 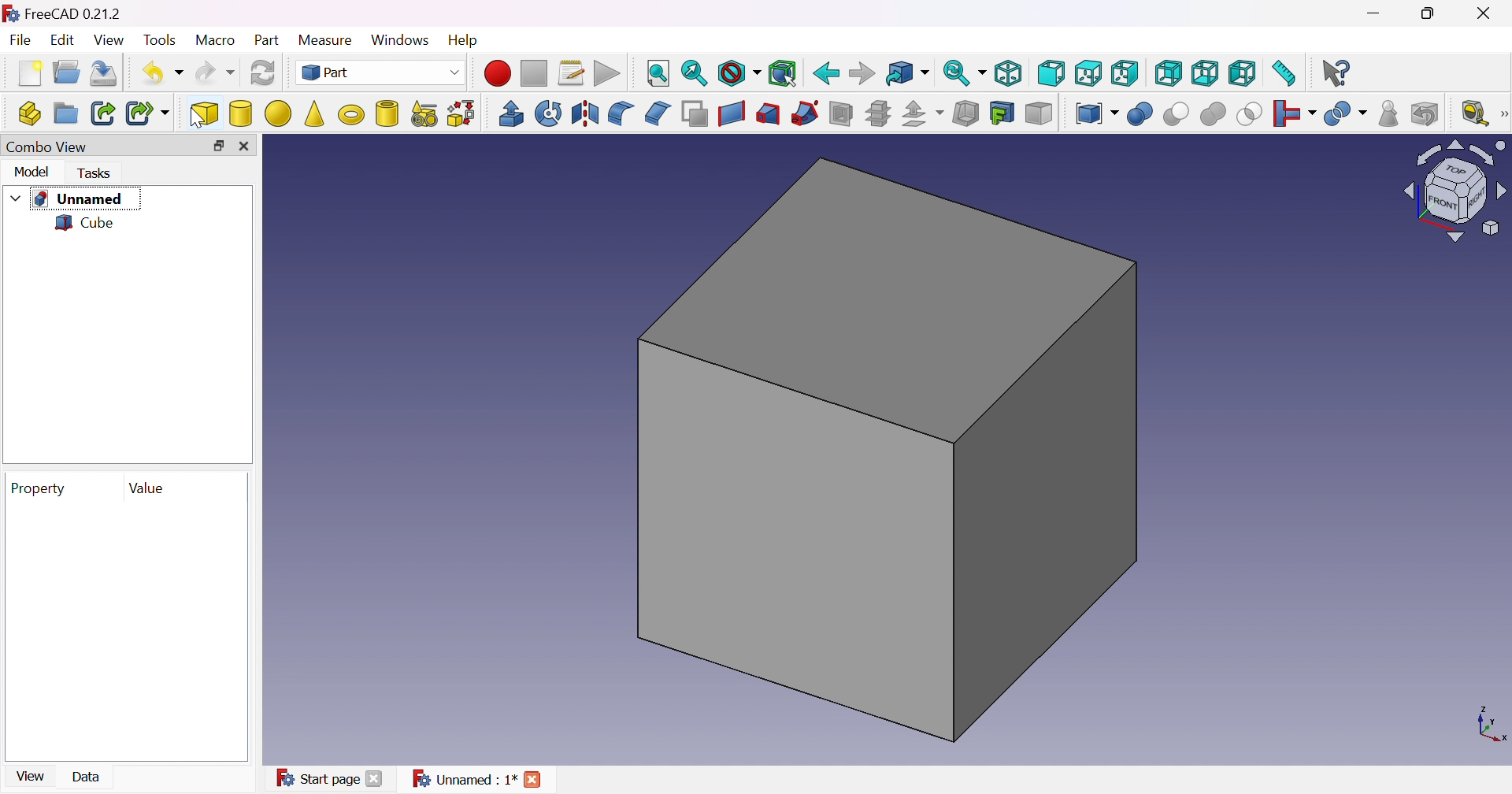 What do you see at coordinates (1488, 726) in the screenshot?
I see `x, y axis` at bounding box center [1488, 726].